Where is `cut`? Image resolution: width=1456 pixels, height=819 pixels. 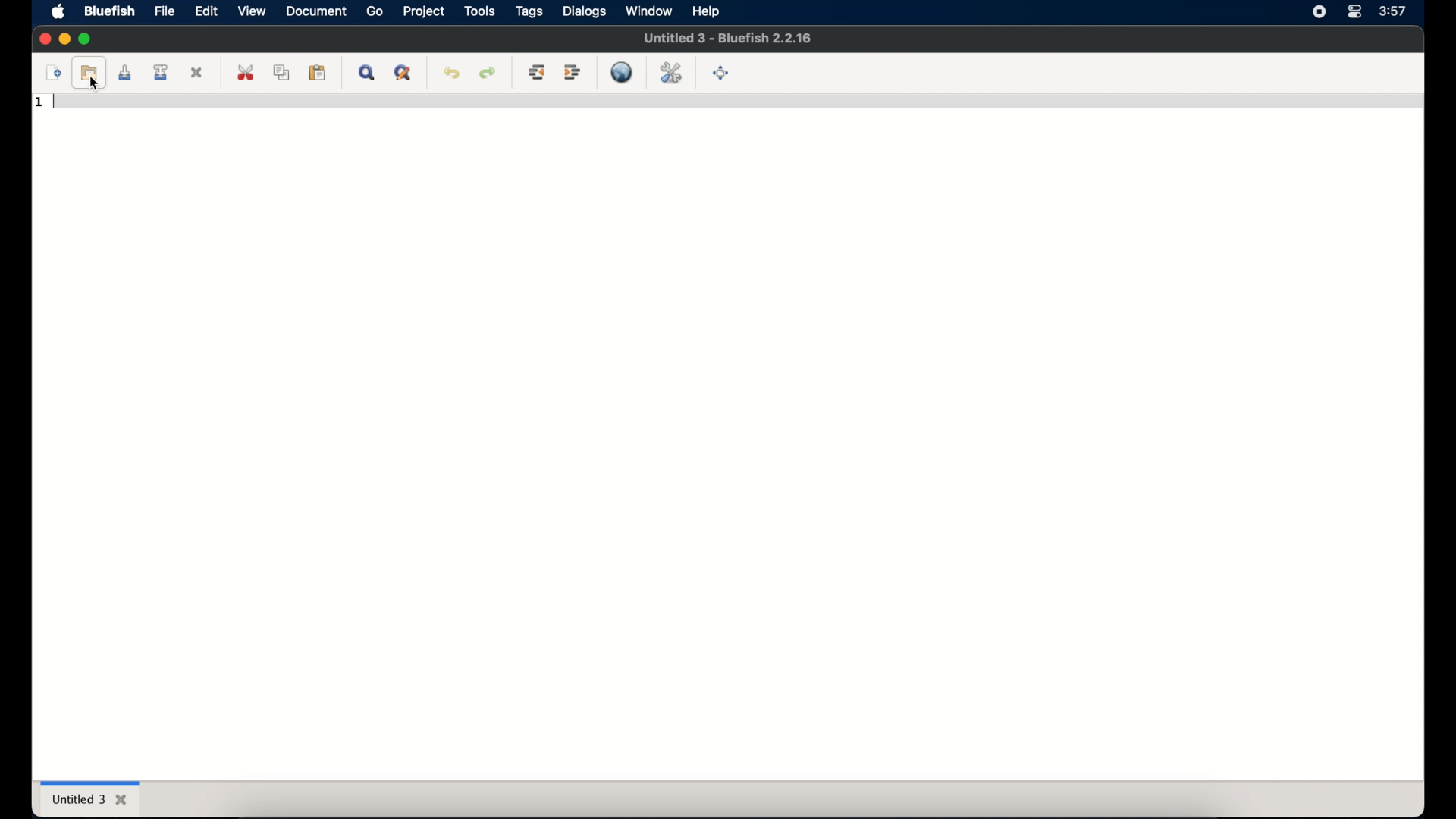
cut is located at coordinates (246, 73).